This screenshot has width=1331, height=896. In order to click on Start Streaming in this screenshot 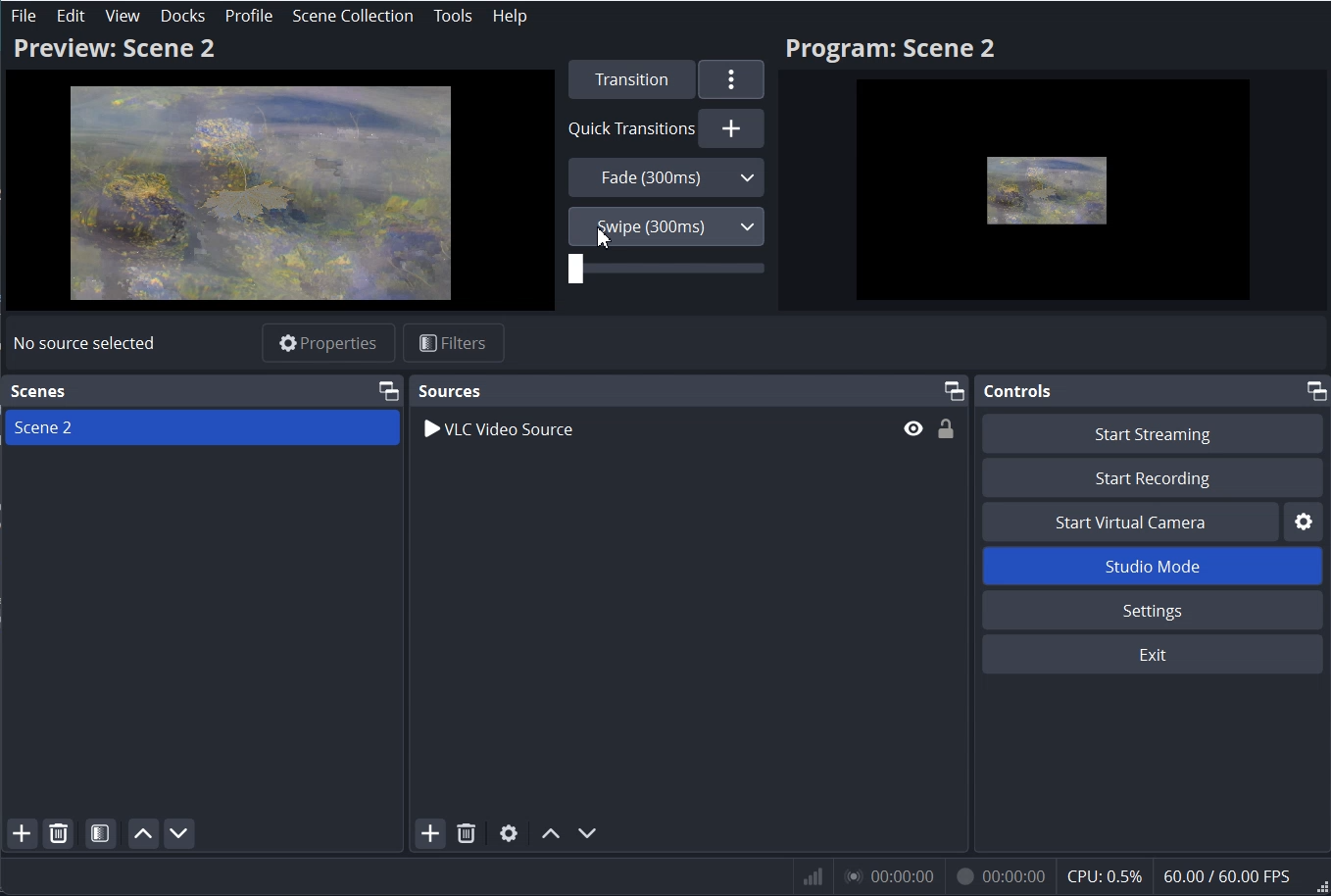, I will do `click(1156, 431)`.